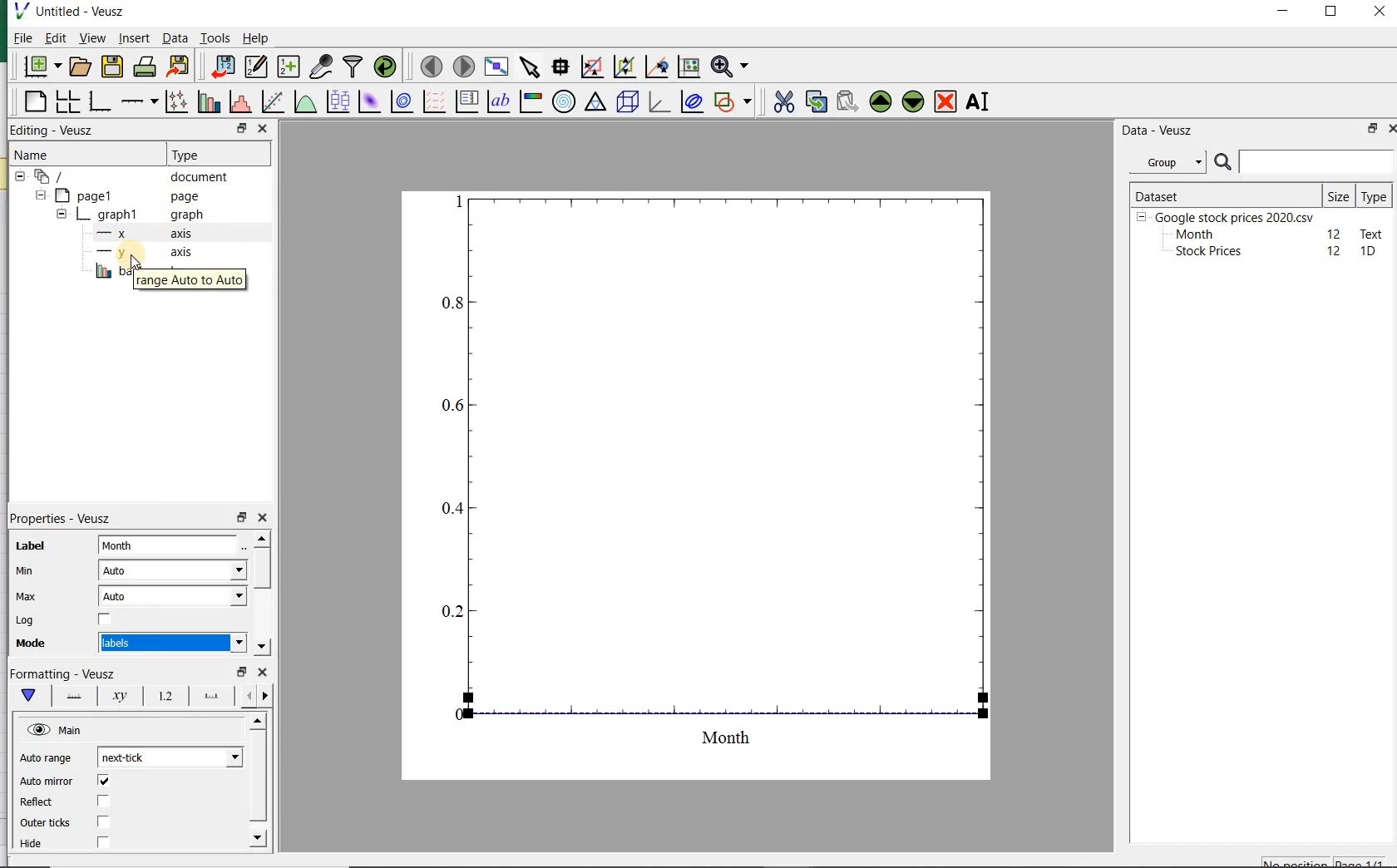 Image resolution: width=1397 pixels, height=868 pixels. I want to click on Stock prices, so click(1201, 252).